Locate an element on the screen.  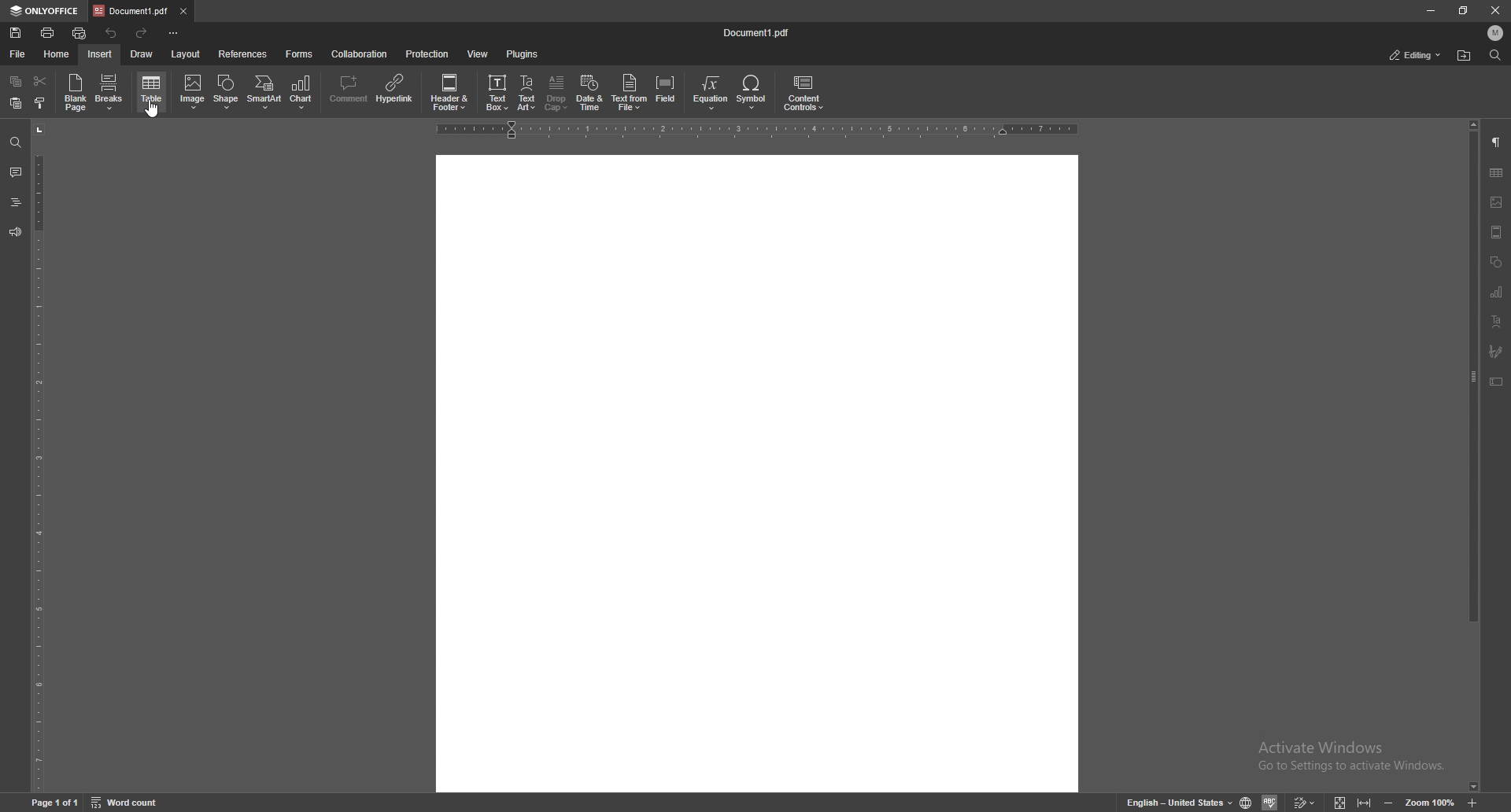
collaboration is located at coordinates (359, 53).